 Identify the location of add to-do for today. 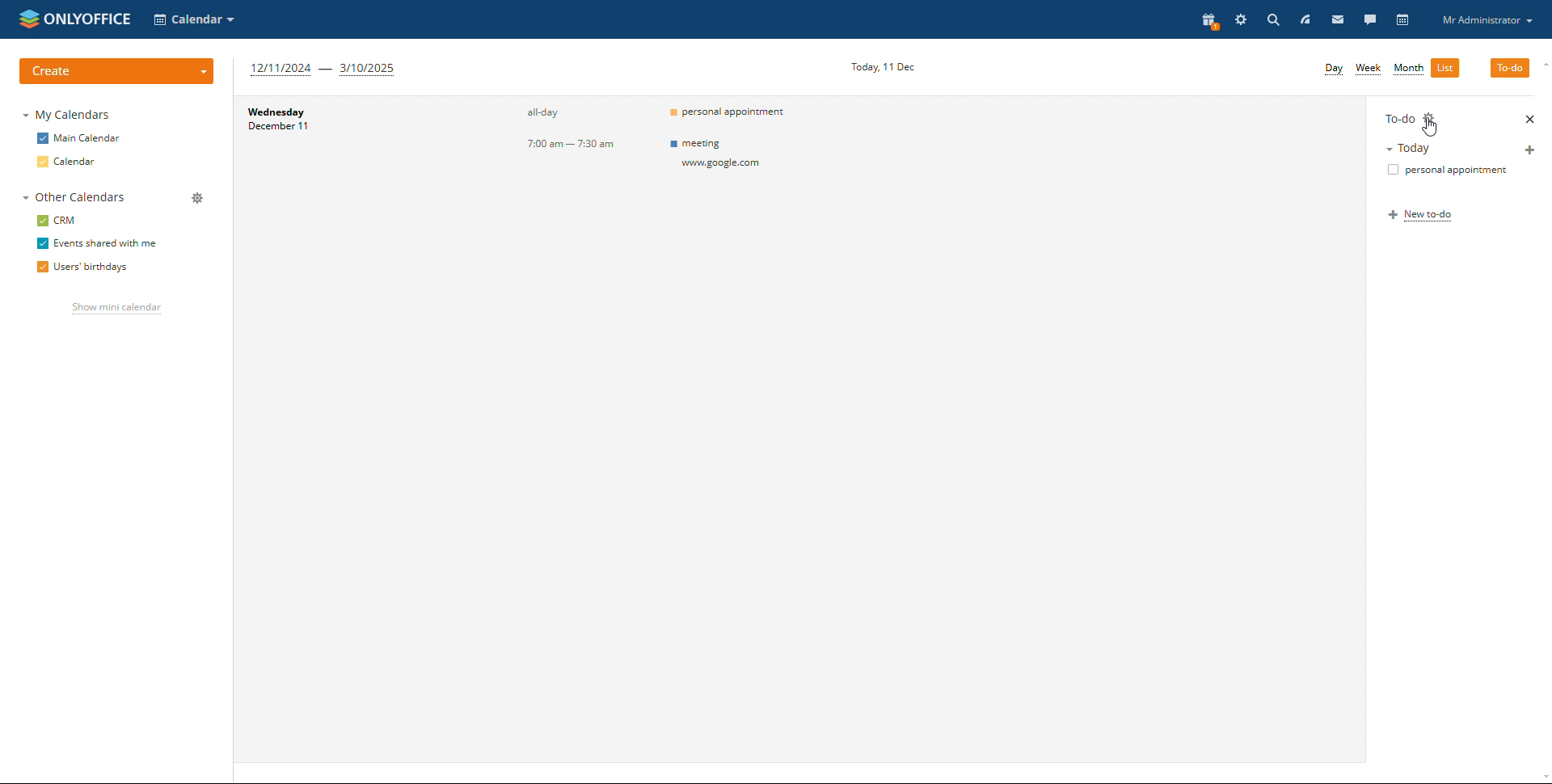
(1531, 149).